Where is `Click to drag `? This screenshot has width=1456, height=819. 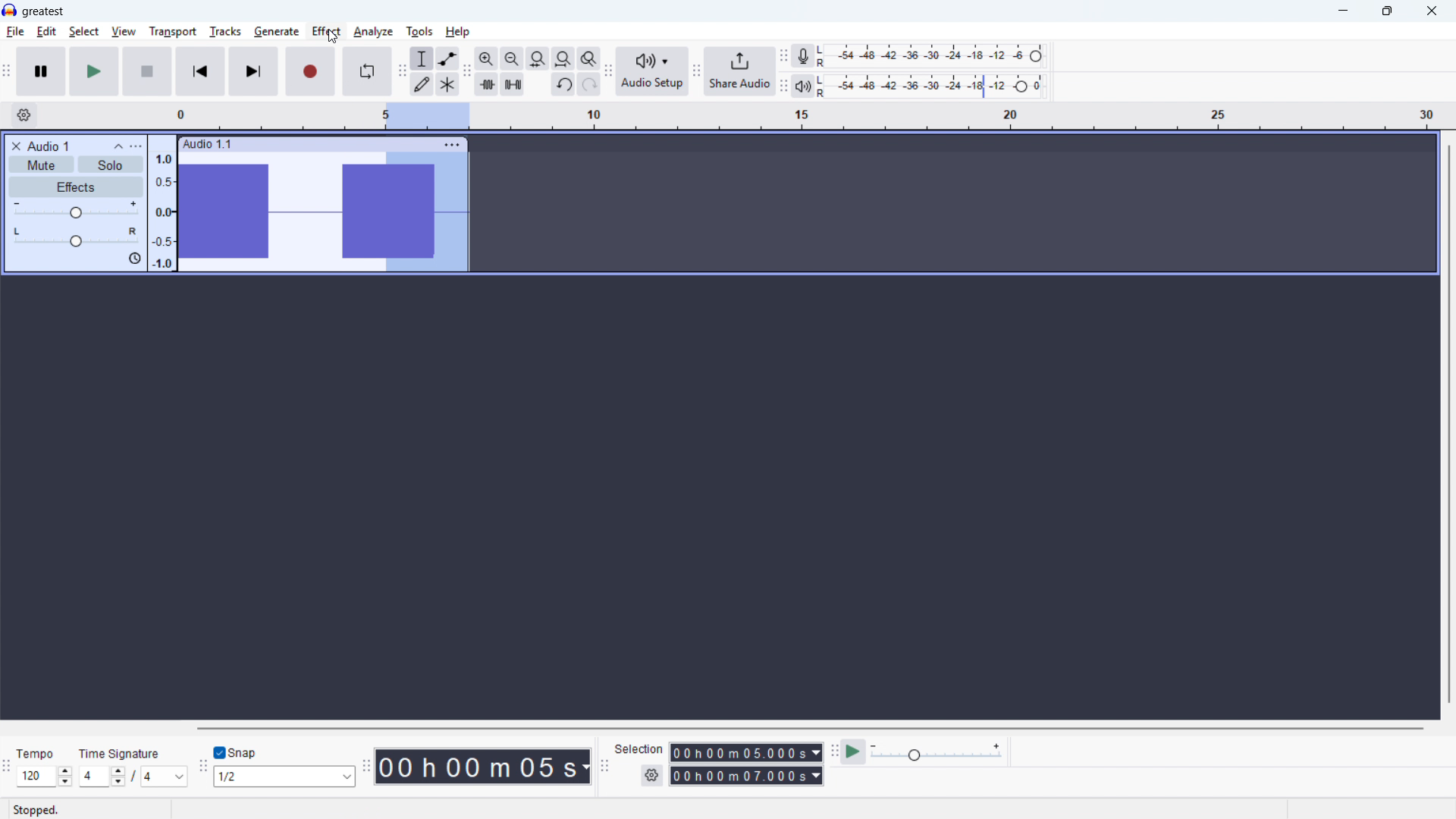
Click to drag  is located at coordinates (339, 143).